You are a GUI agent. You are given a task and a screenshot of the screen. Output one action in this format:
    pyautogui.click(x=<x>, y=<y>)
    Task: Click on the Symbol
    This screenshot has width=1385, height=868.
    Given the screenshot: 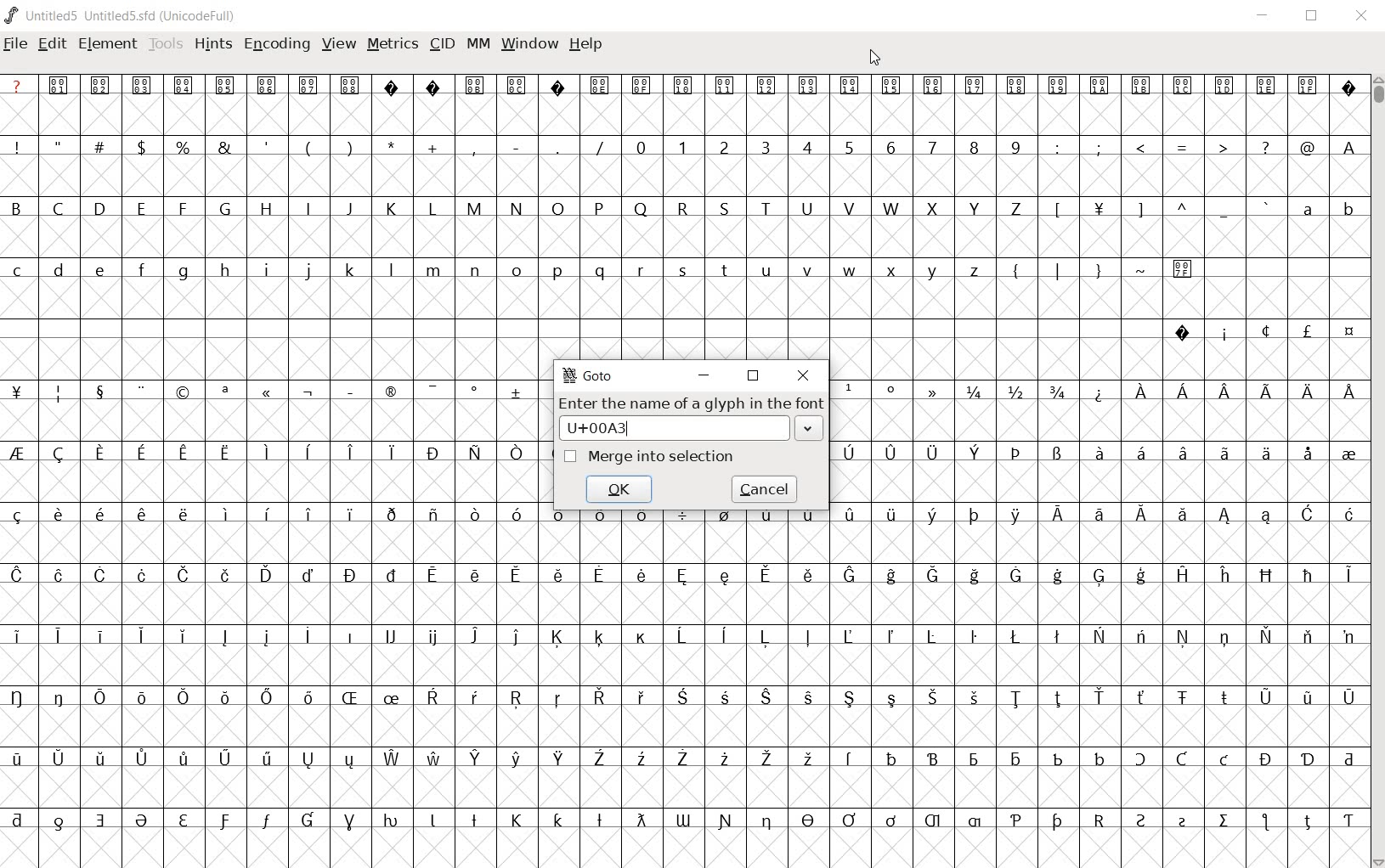 What is the action you would take?
    pyautogui.click(x=184, y=454)
    